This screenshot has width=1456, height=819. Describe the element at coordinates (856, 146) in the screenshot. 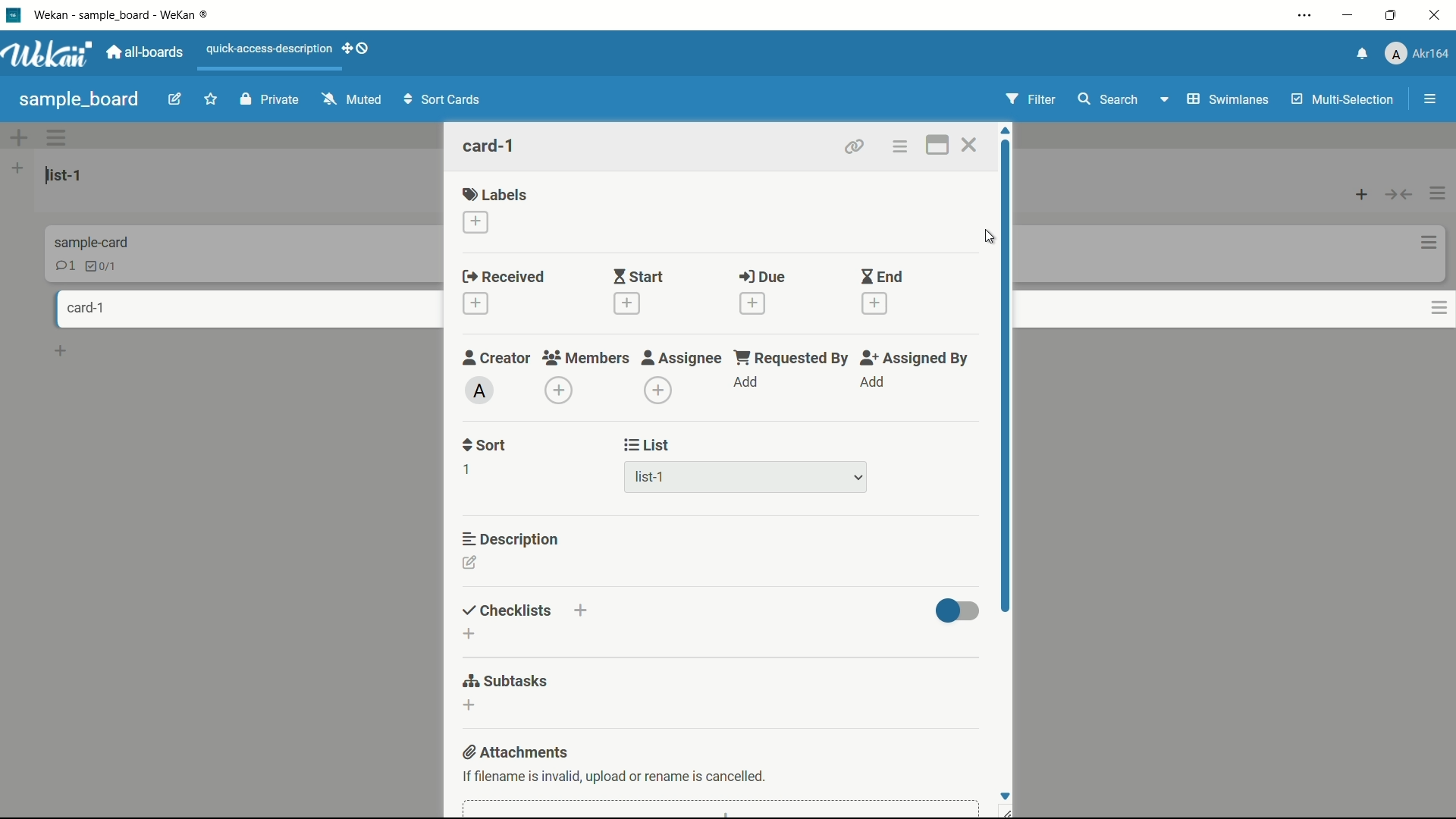

I see `copy card link to clipboard` at that location.